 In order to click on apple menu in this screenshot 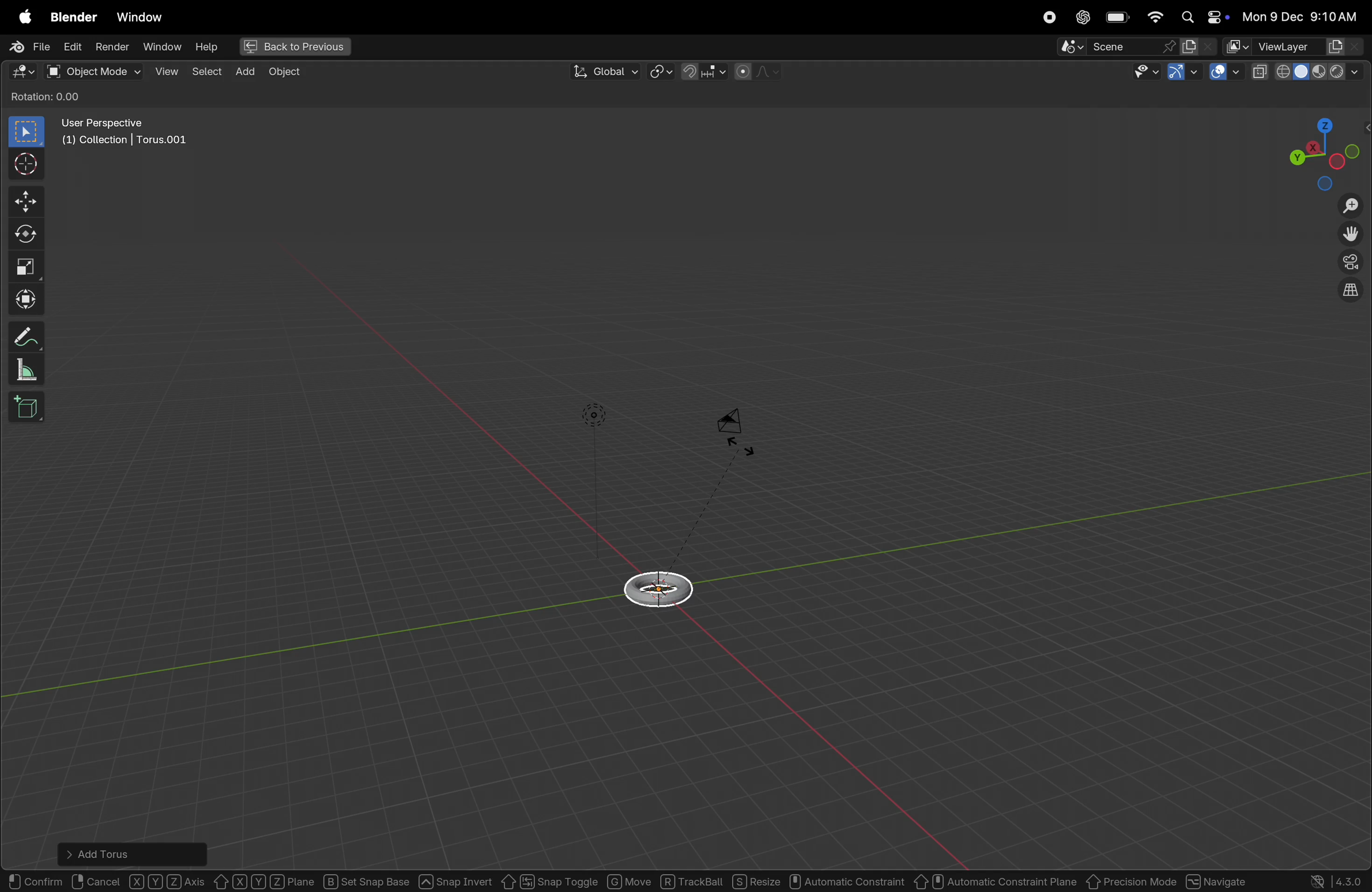, I will do `click(22, 17)`.